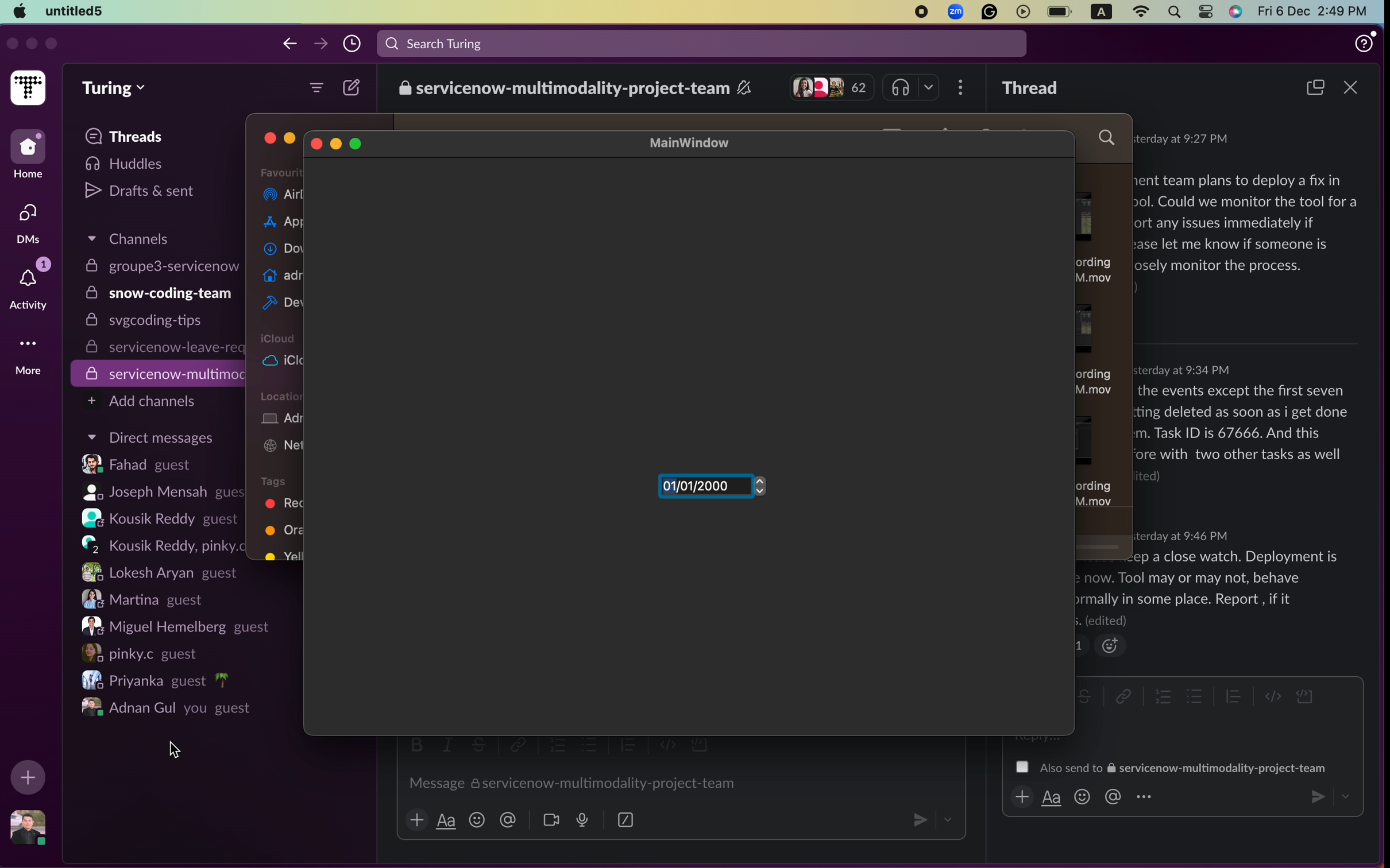 This screenshot has width=1390, height=868. I want to click on Kousik, so click(160, 543).